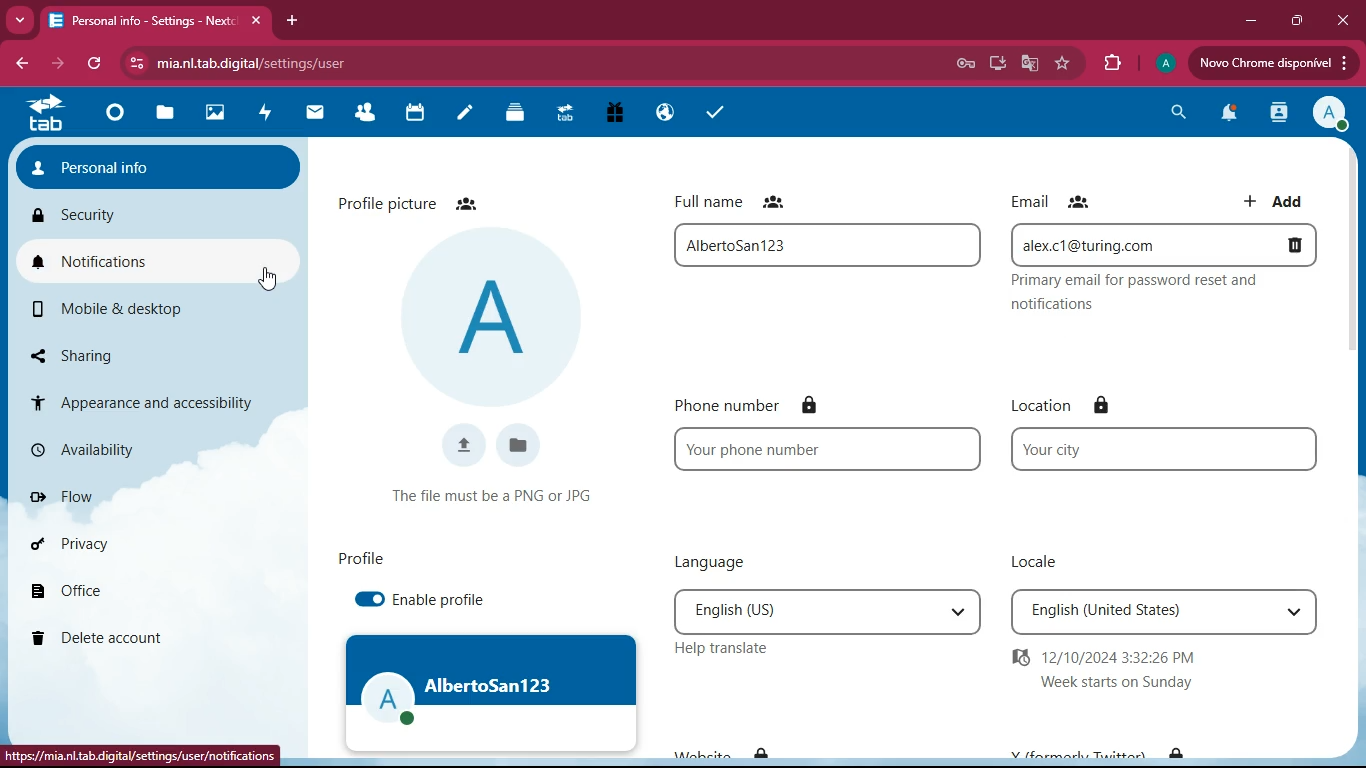 This screenshot has height=768, width=1366. I want to click on profile, so click(1331, 113).